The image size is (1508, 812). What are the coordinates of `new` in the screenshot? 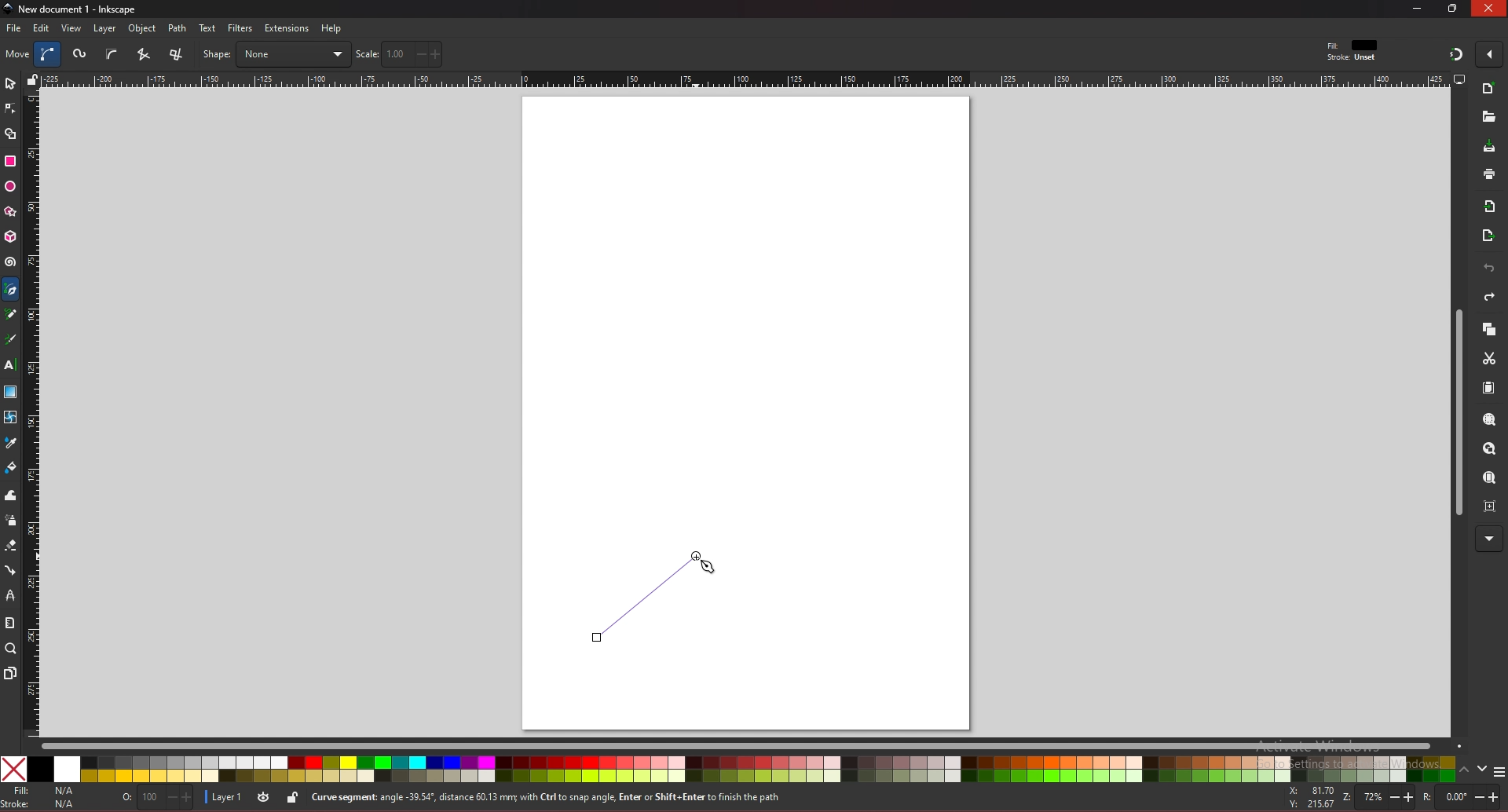 It's located at (1488, 117).